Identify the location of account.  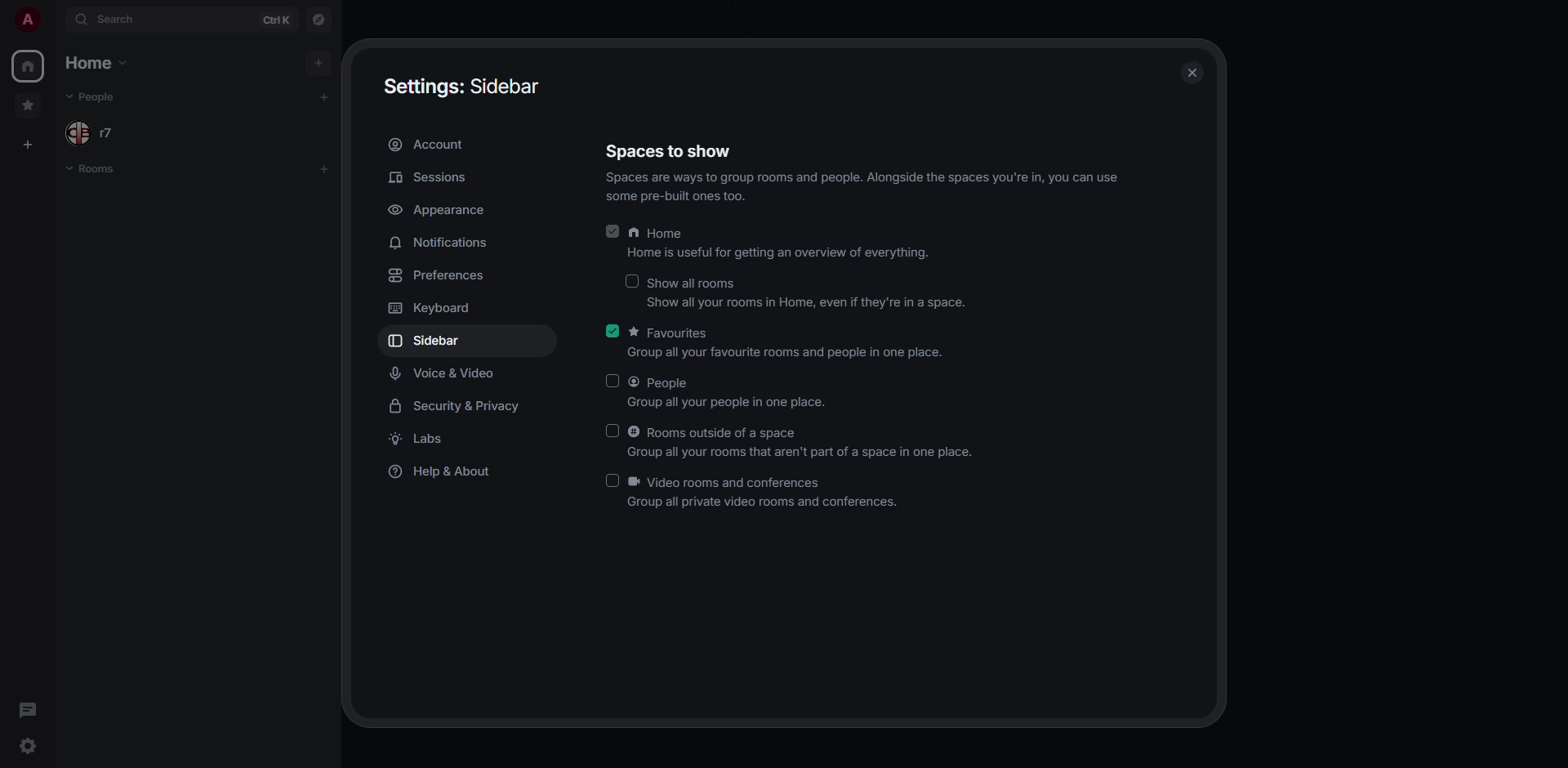
(433, 144).